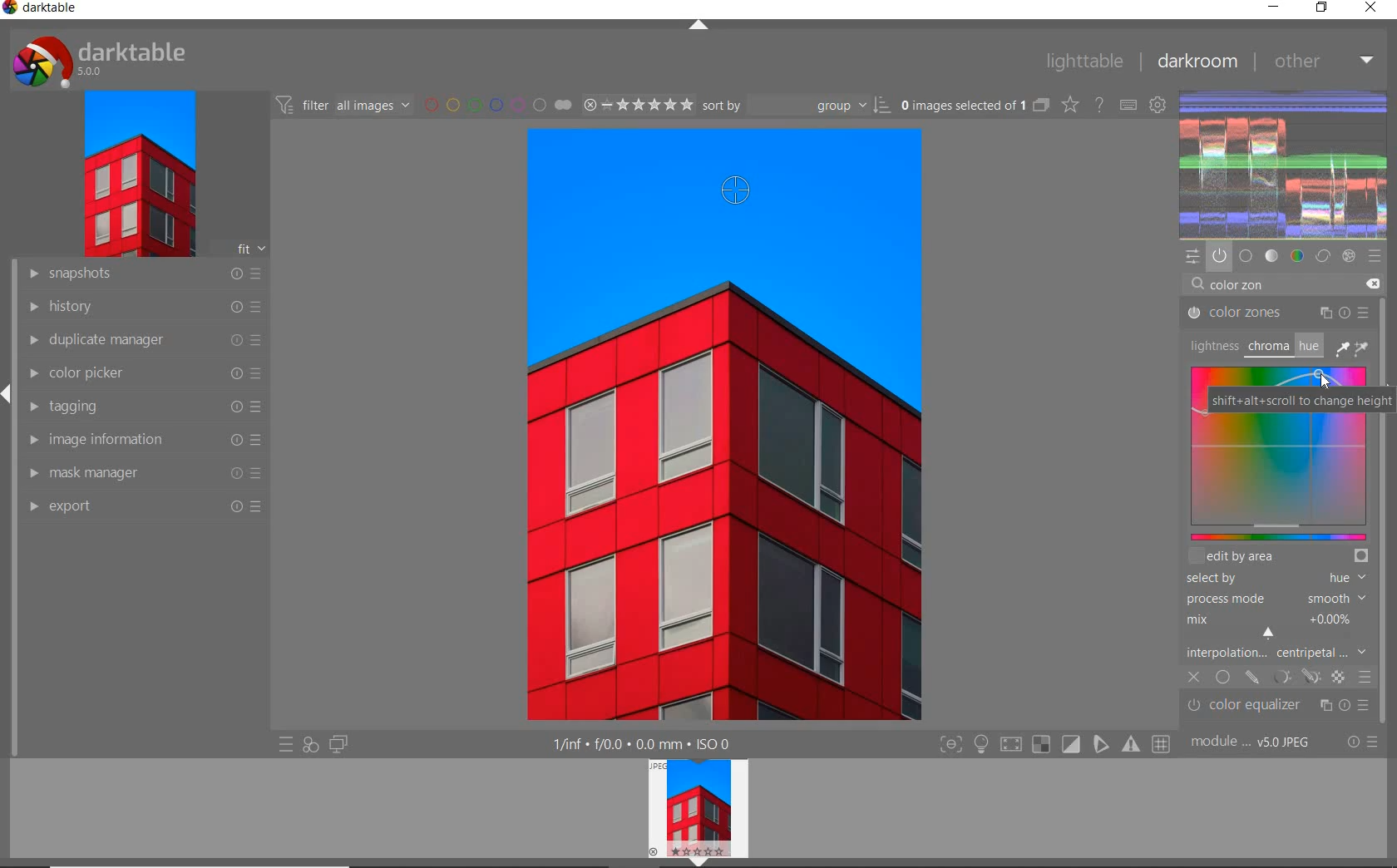  What do you see at coordinates (1100, 104) in the screenshot?
I see `enable for online help` at bounding box center [1100, 104].